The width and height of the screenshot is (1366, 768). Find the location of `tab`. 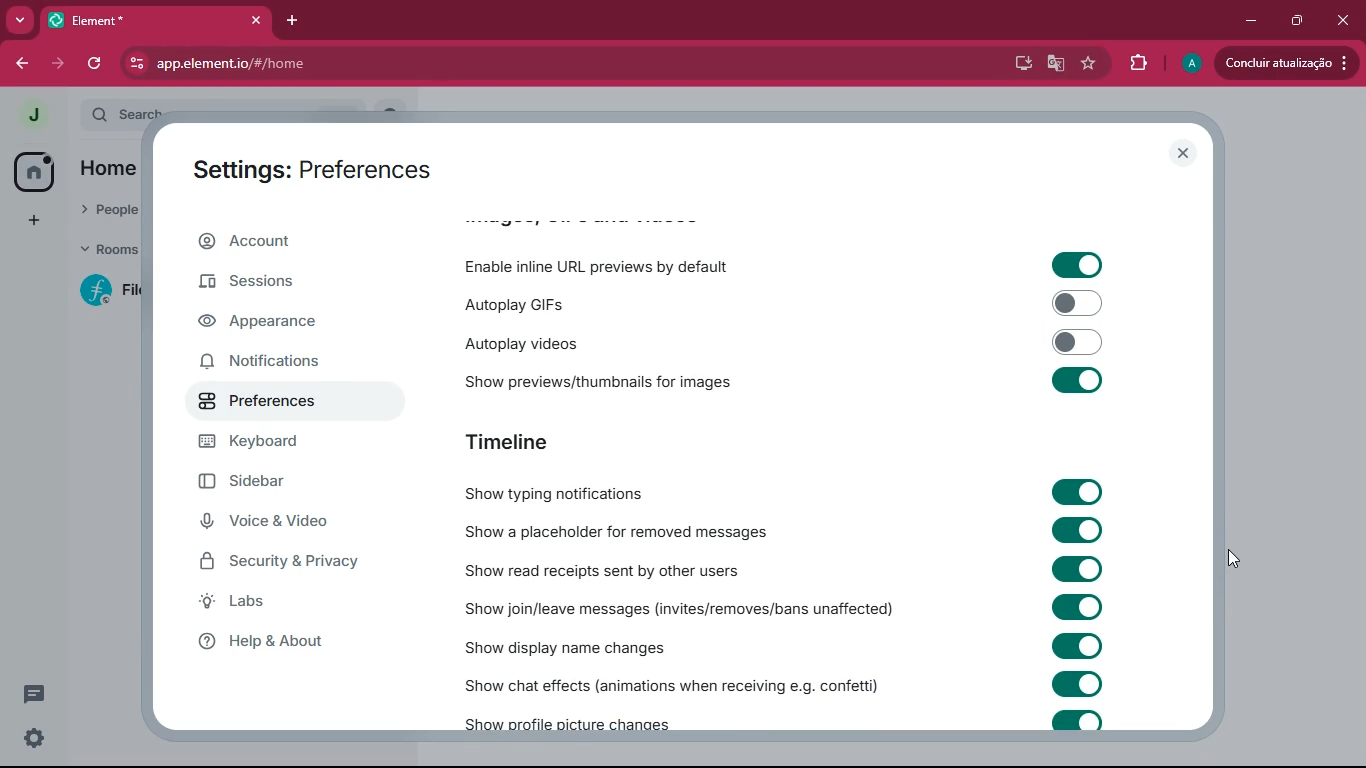

tab is located at coordinates (99, 20).